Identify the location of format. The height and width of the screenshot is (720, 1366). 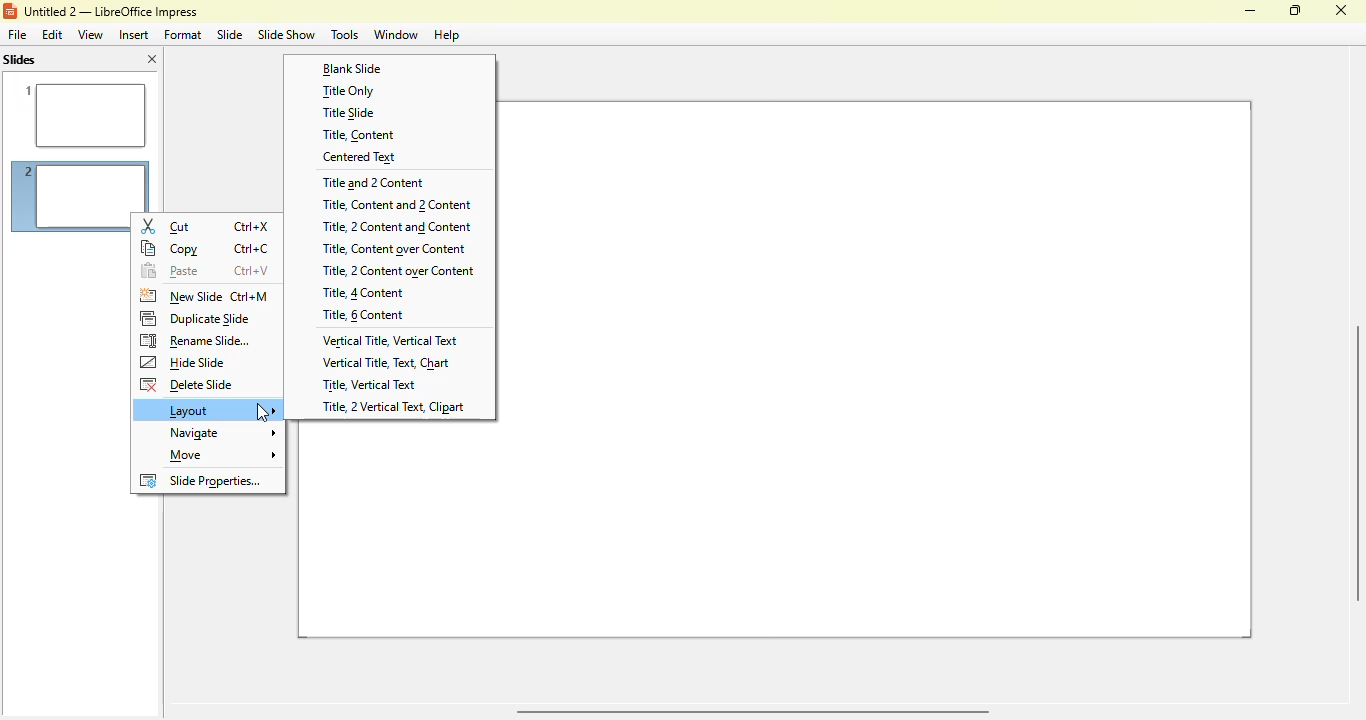
(183, 35).